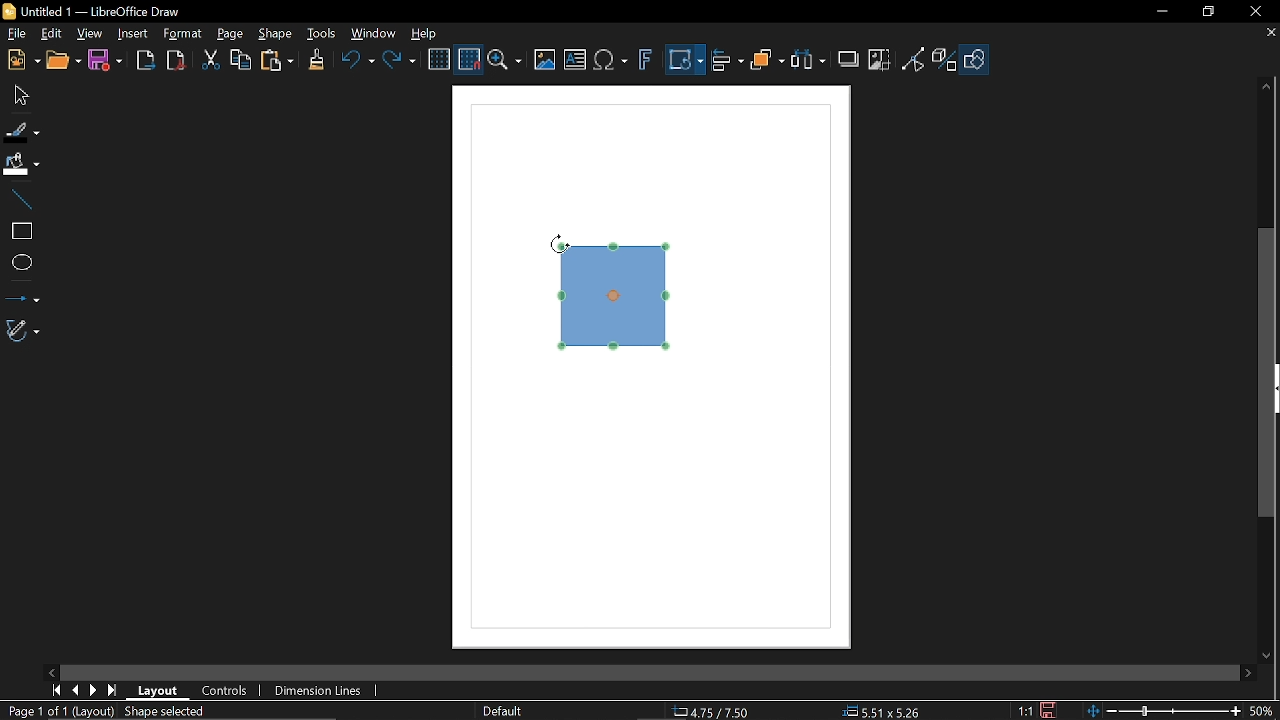  What do you see at coordinates (314, 61) in the screenshot?
I see `Clone` at bounding box center [314, 61].